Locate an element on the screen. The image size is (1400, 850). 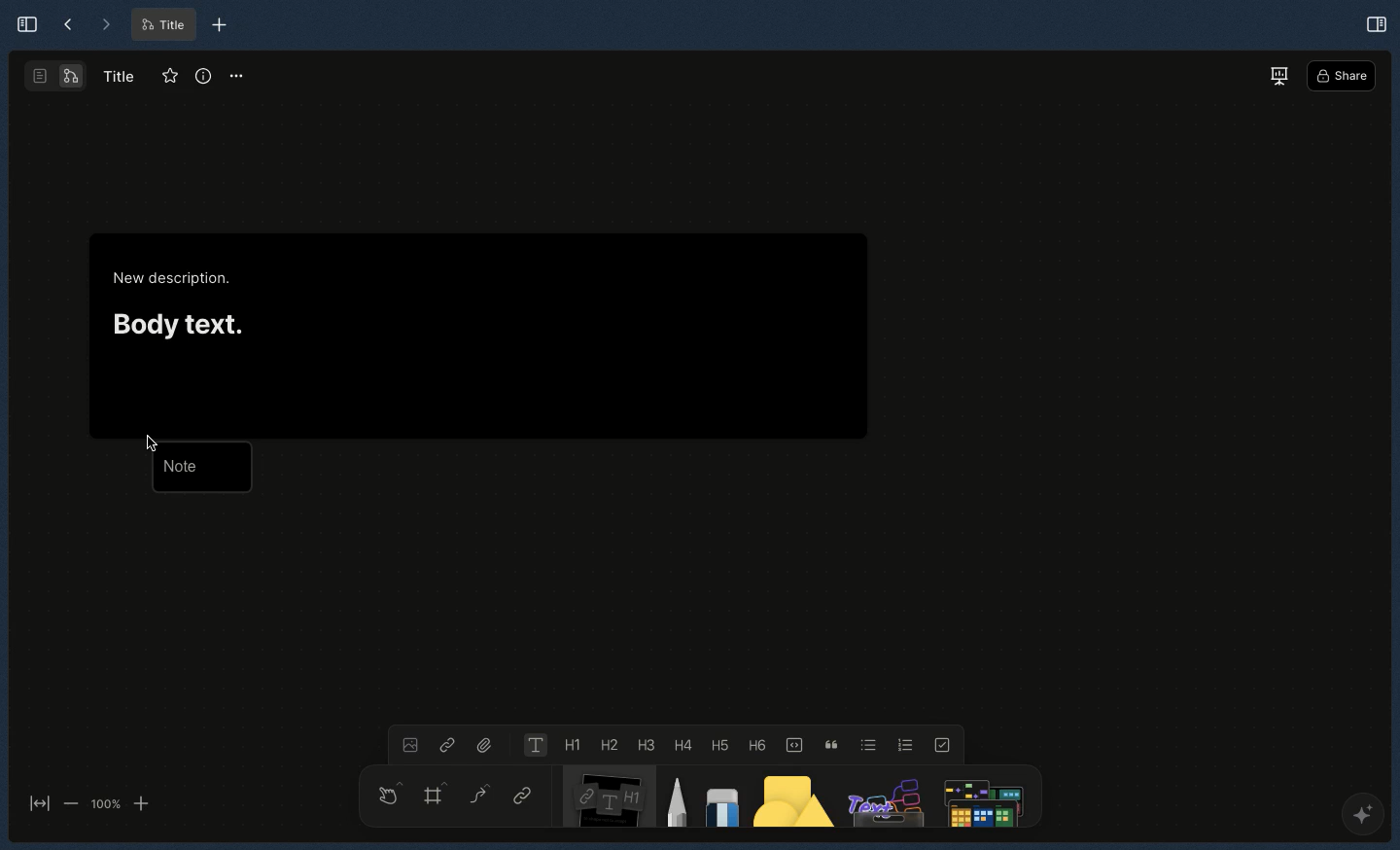
Info is located at coordinates (203, 77).